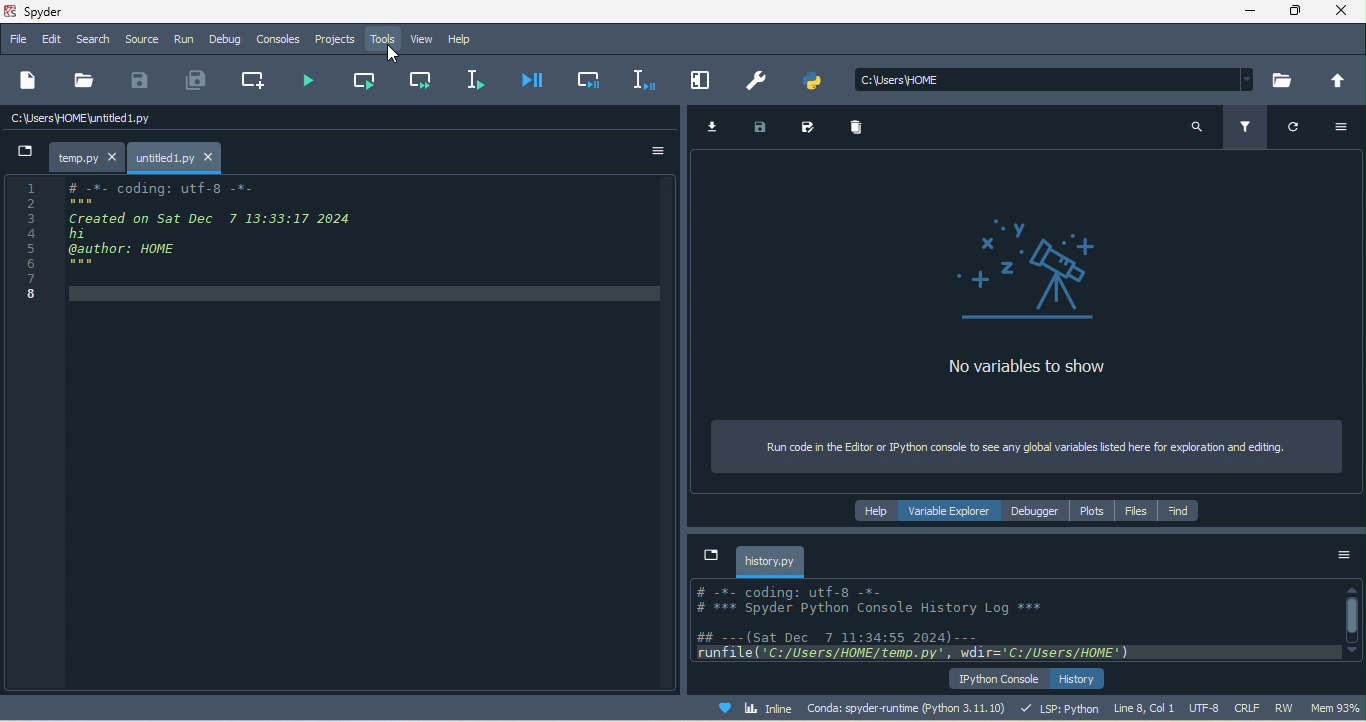  I want to click on python console, so click(996, 679).